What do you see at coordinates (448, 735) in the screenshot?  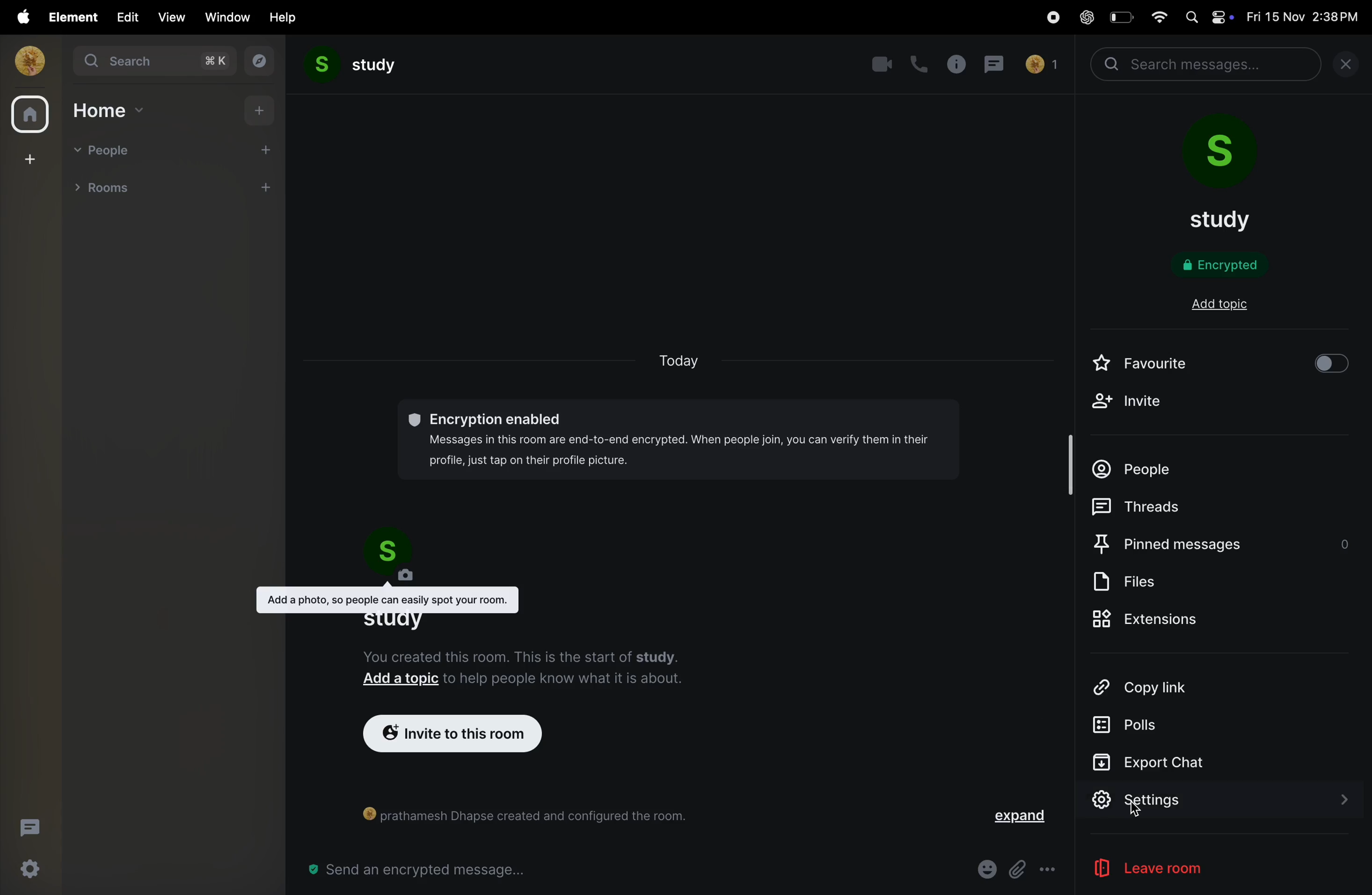 I see `invite to room` at bounding box center [448, 735].